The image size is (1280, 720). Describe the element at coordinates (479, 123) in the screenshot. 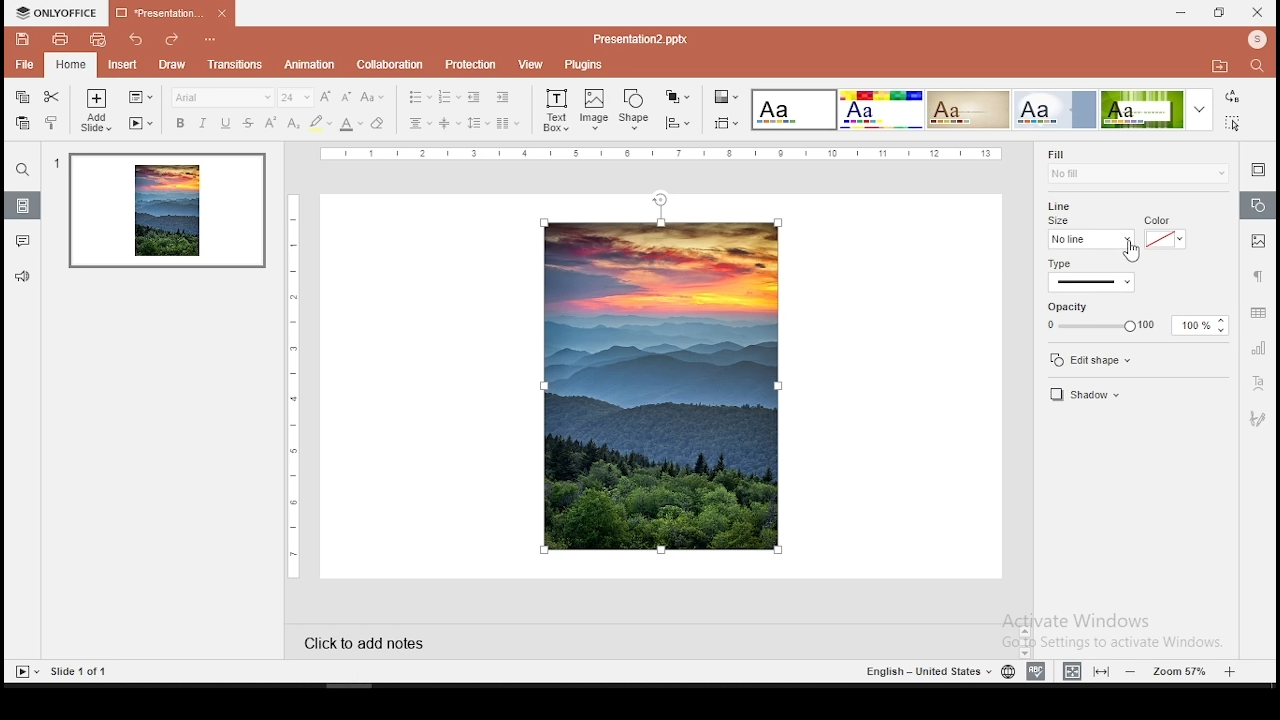

I see `spacing` at that location.